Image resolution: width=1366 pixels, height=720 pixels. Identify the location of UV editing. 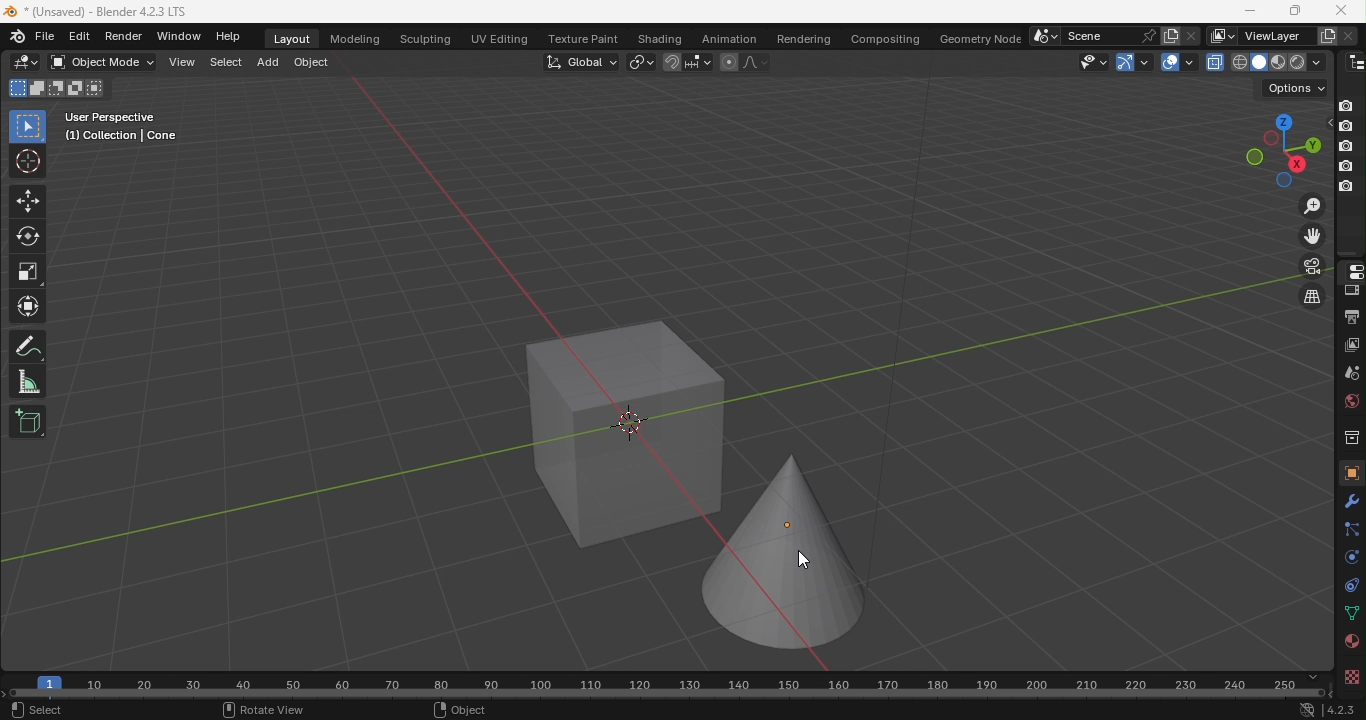
(503, 36).